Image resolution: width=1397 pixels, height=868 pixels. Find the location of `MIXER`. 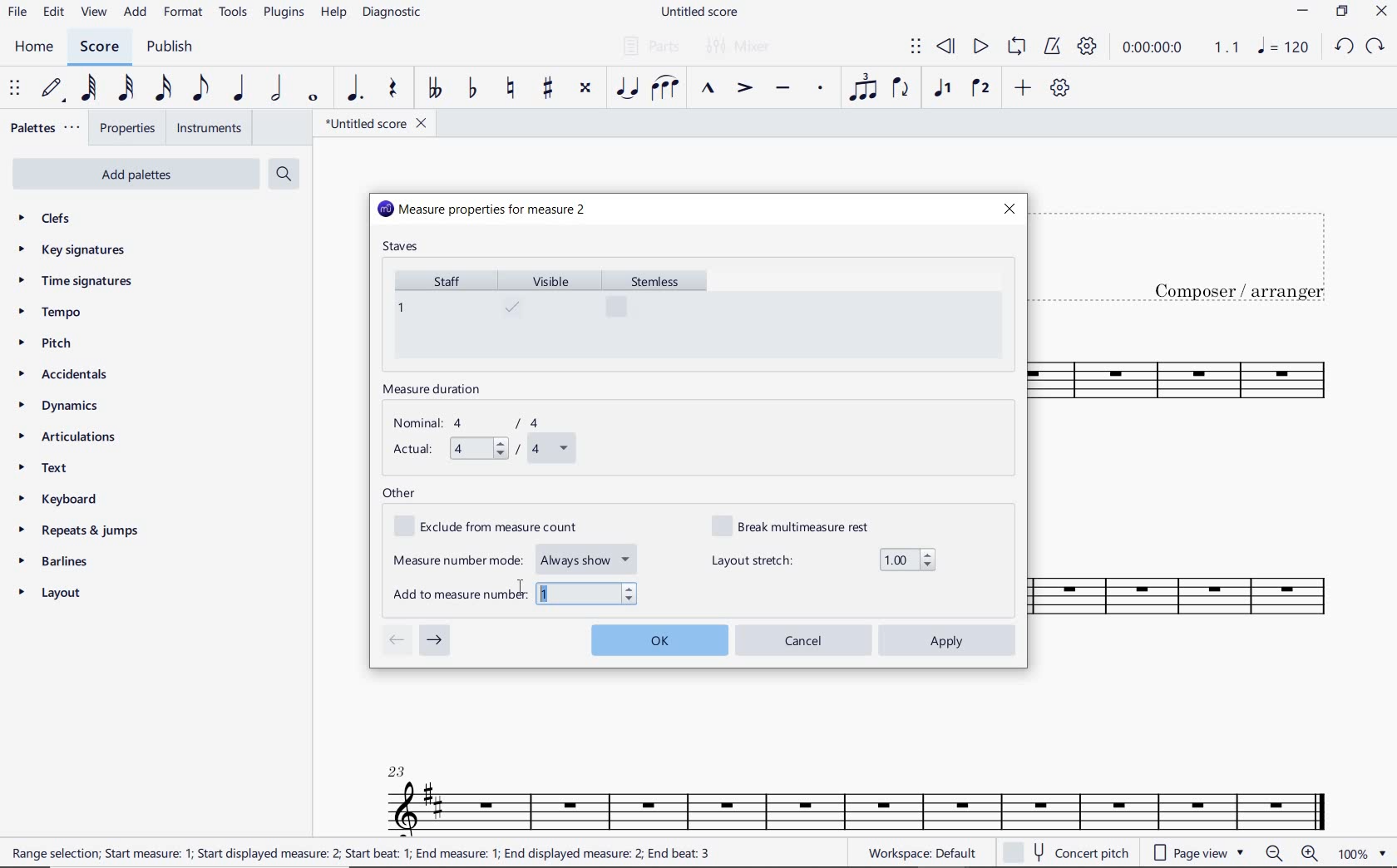

MIXER is located at coordinates (739, 47).